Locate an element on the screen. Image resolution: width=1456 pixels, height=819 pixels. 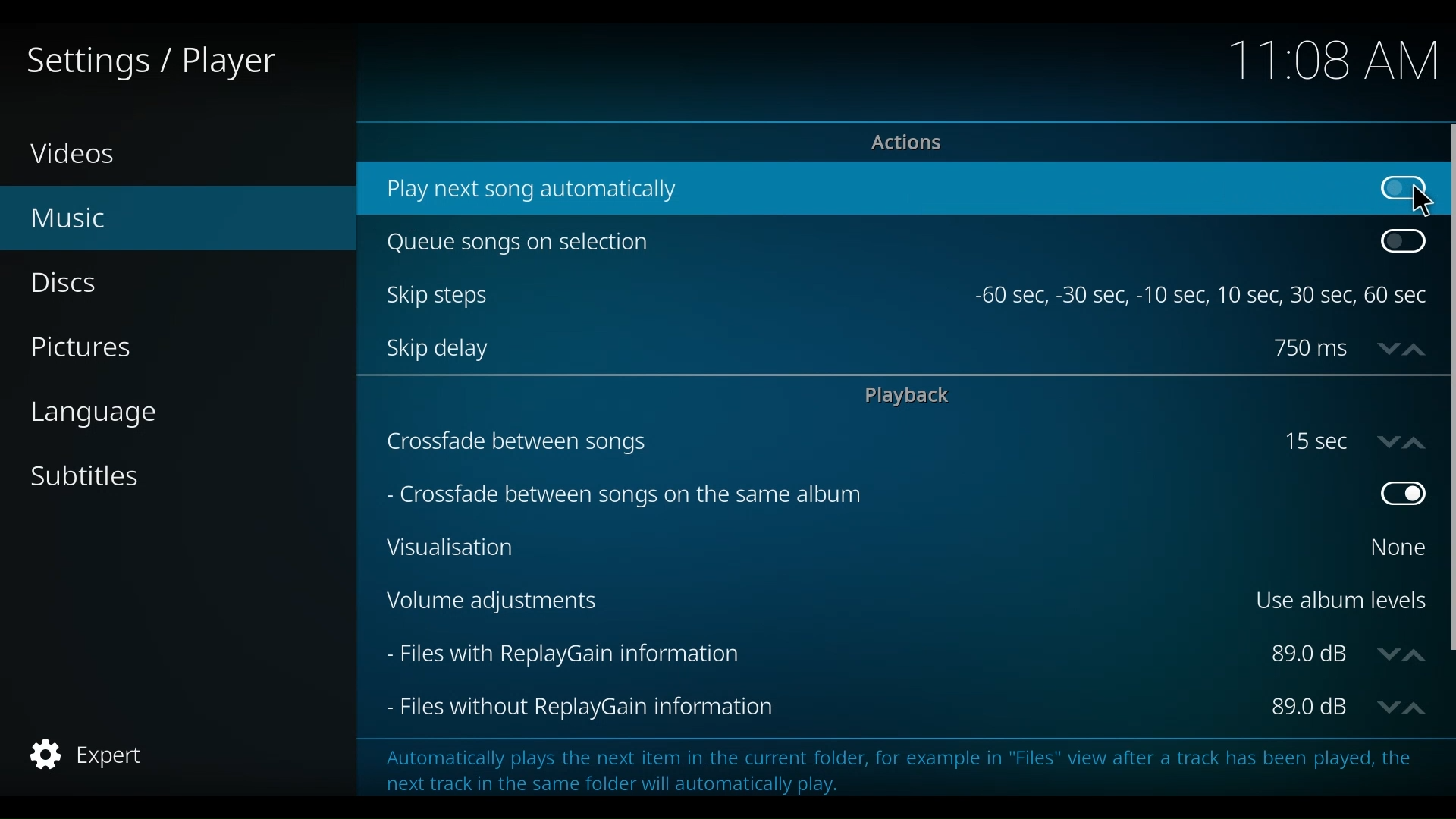
Files with ReplayGain Information is located at coordinates (817, 654).